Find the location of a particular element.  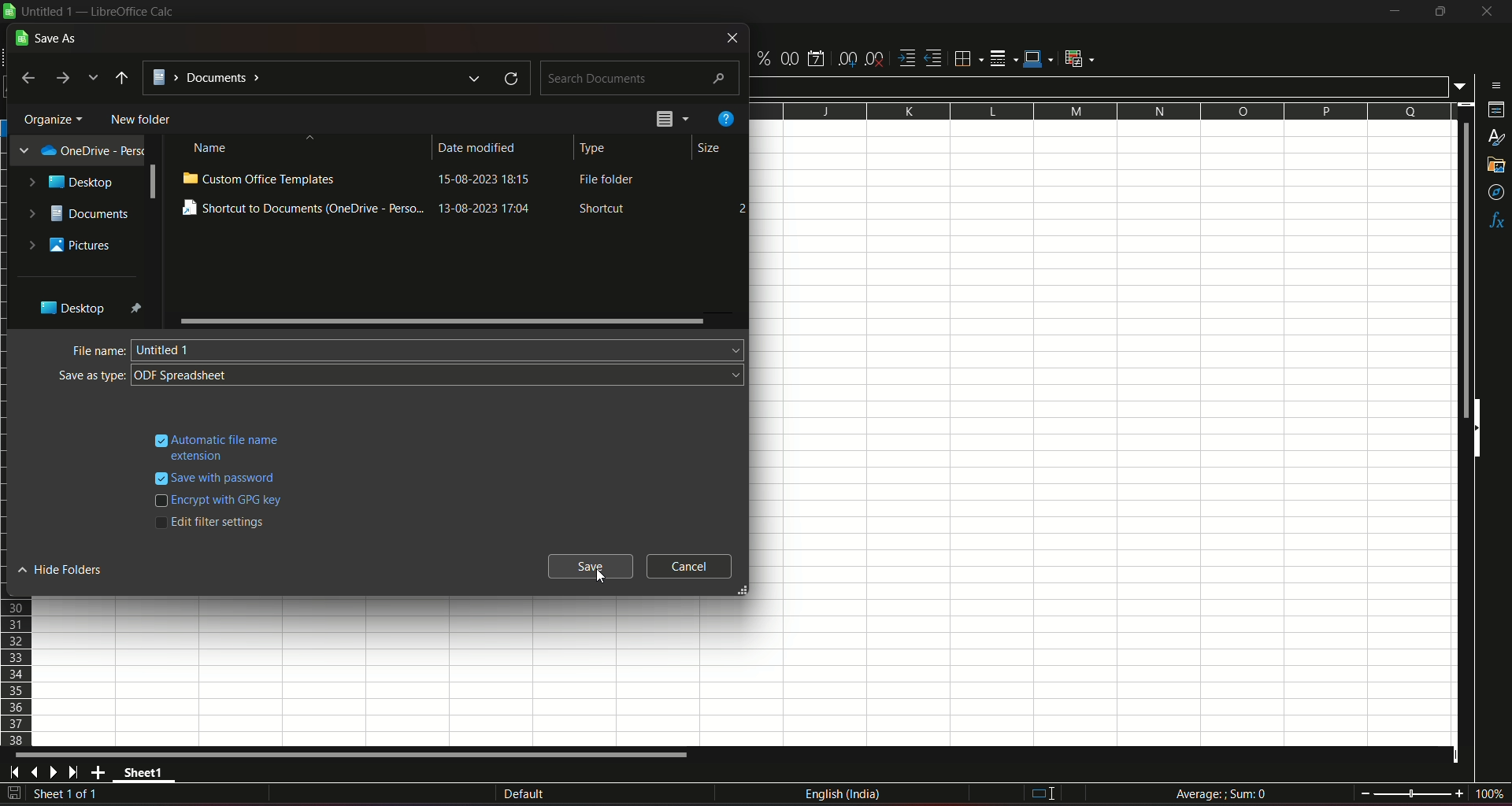

delete decimal point is located at coordinates (876, 58).